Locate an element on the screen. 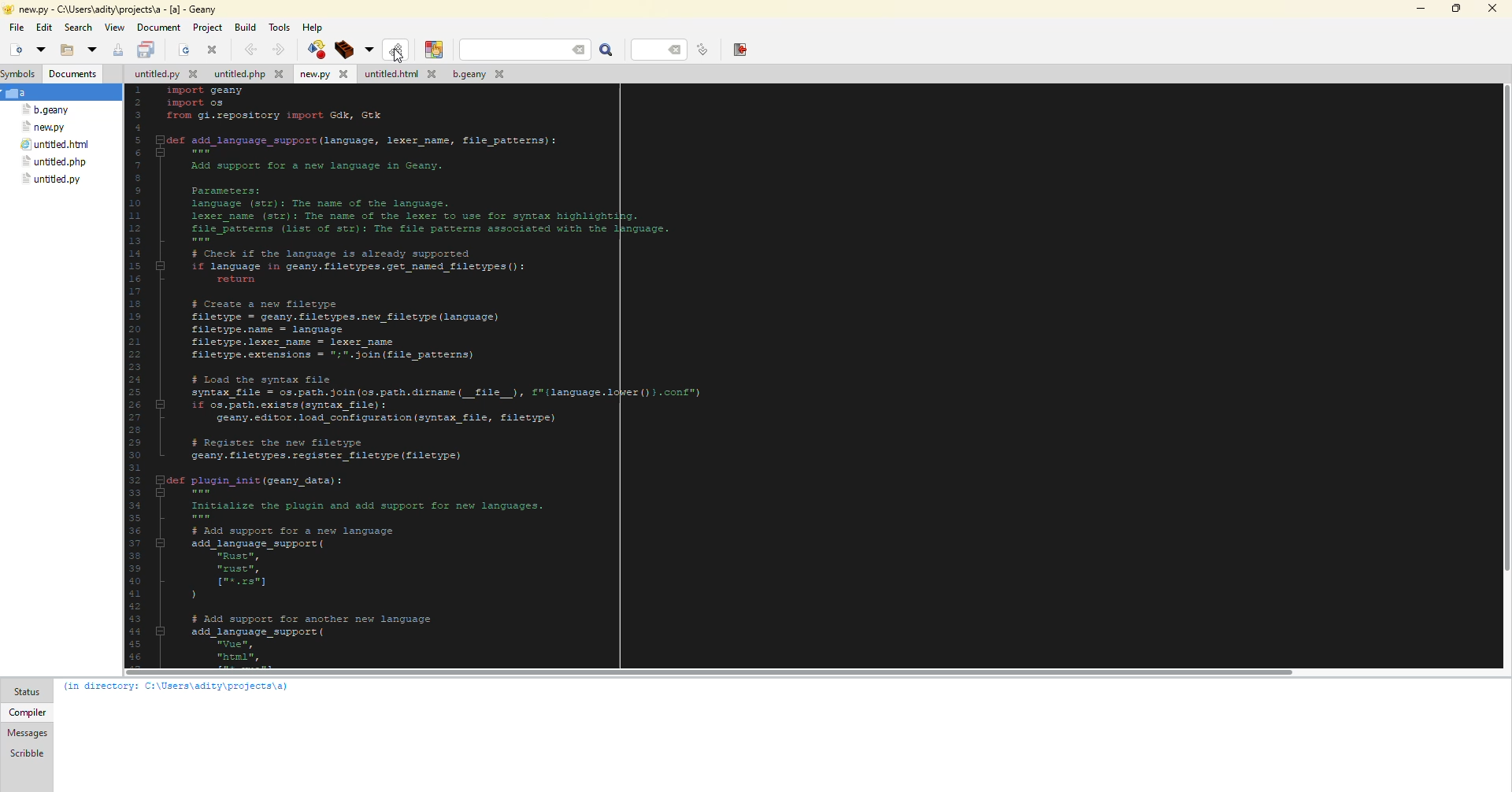 This screenshot has height=792, width=1512. open is located at coordinates (90, 50).